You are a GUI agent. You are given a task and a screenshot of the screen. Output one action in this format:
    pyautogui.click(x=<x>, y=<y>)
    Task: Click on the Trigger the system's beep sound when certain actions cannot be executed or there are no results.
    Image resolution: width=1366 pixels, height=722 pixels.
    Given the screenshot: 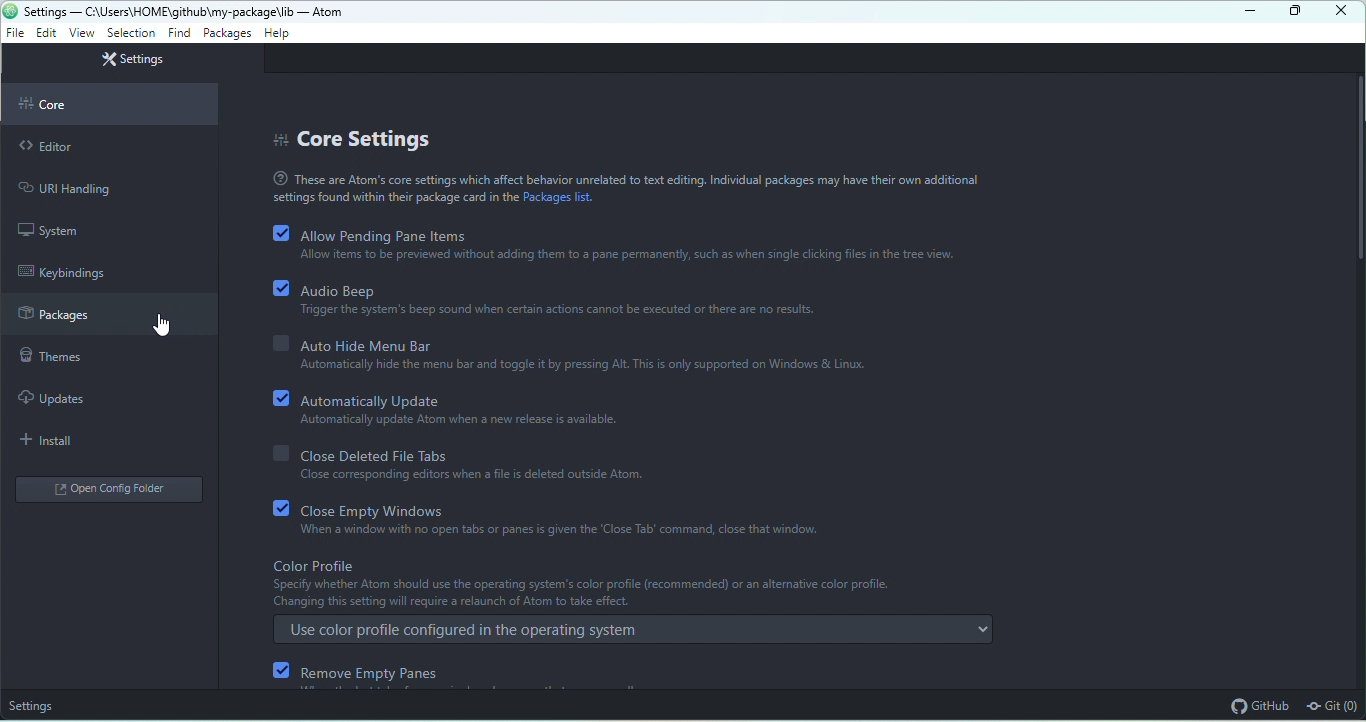 What is the action you would take?
    pyautogui.click(x=555, y=317)
    